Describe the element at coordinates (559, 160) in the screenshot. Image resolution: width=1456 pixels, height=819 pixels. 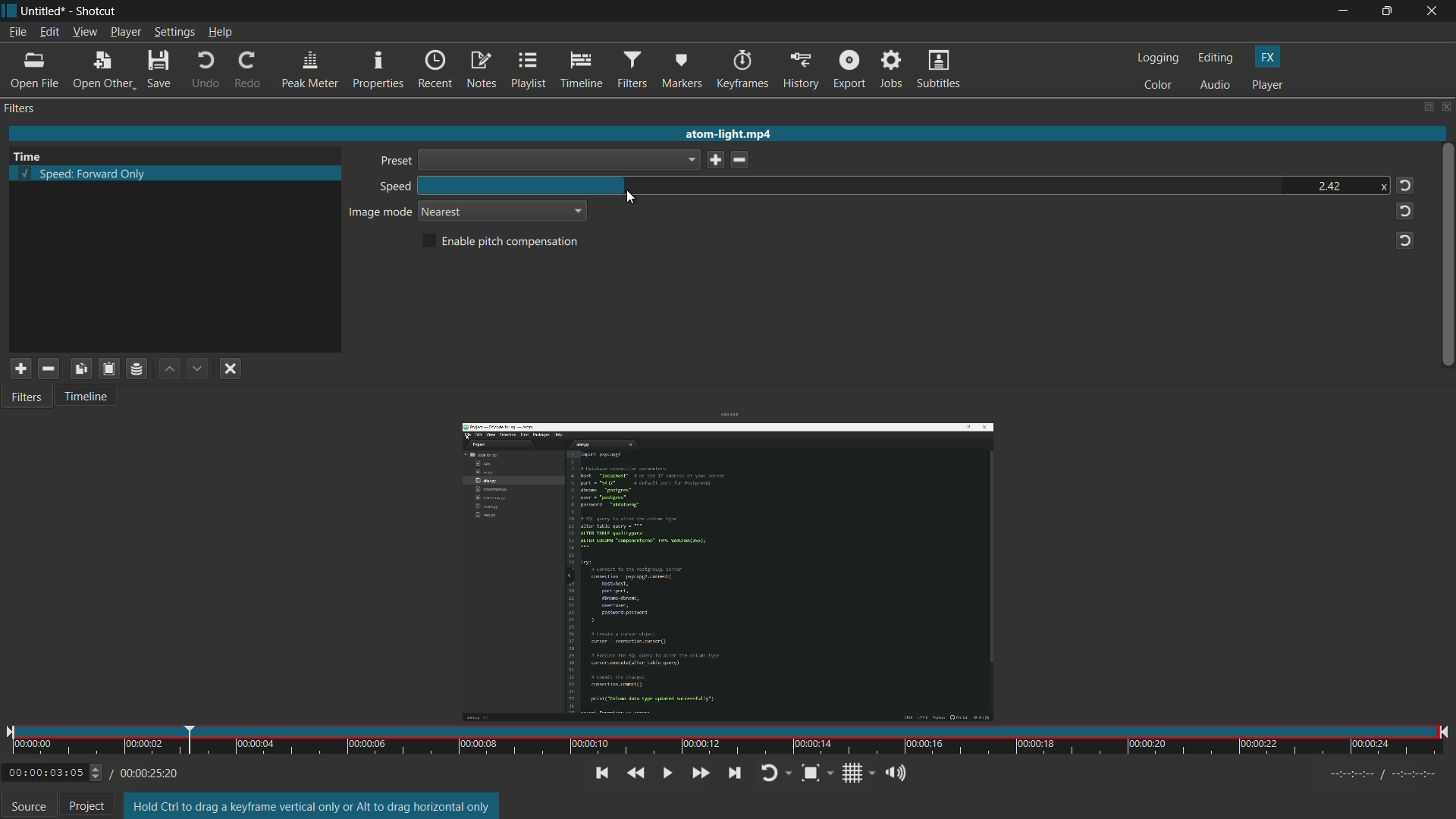
I see `dropdown` at that location.